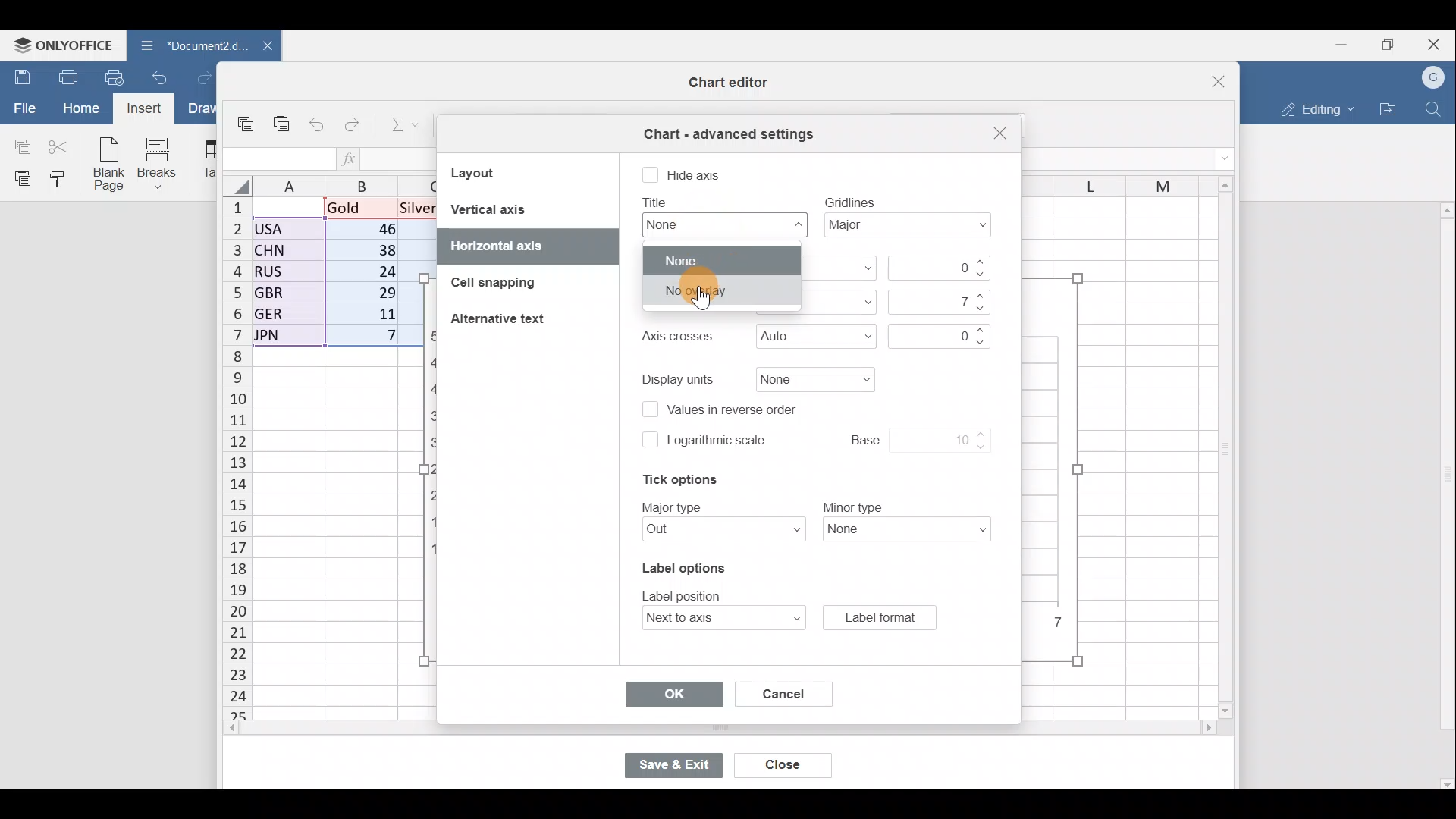 The image size is (1456, 819). What do you see at coordinates (1313, 109) in the screenshot?
I see `Editing mode` at bounding box center [1313, 109].